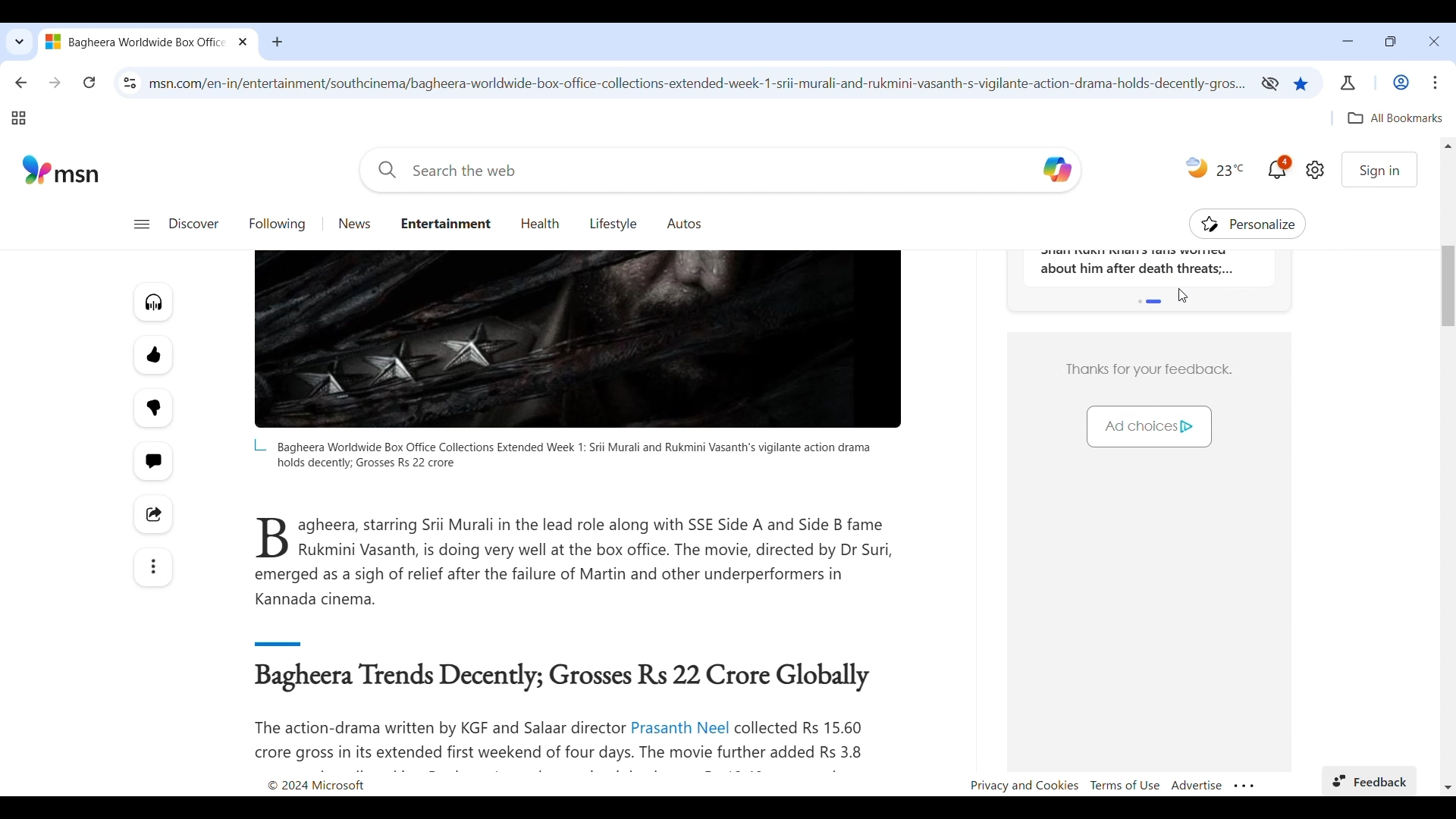  Describe the element at coordinates (568, 741) in the screenshot. I see `The action-drama written by KGF and Salaar director Prasanth Neel collected Rs 15.60
crore gross in its extended first weekend of four days. The movie further added Rs 3.8` at that location.